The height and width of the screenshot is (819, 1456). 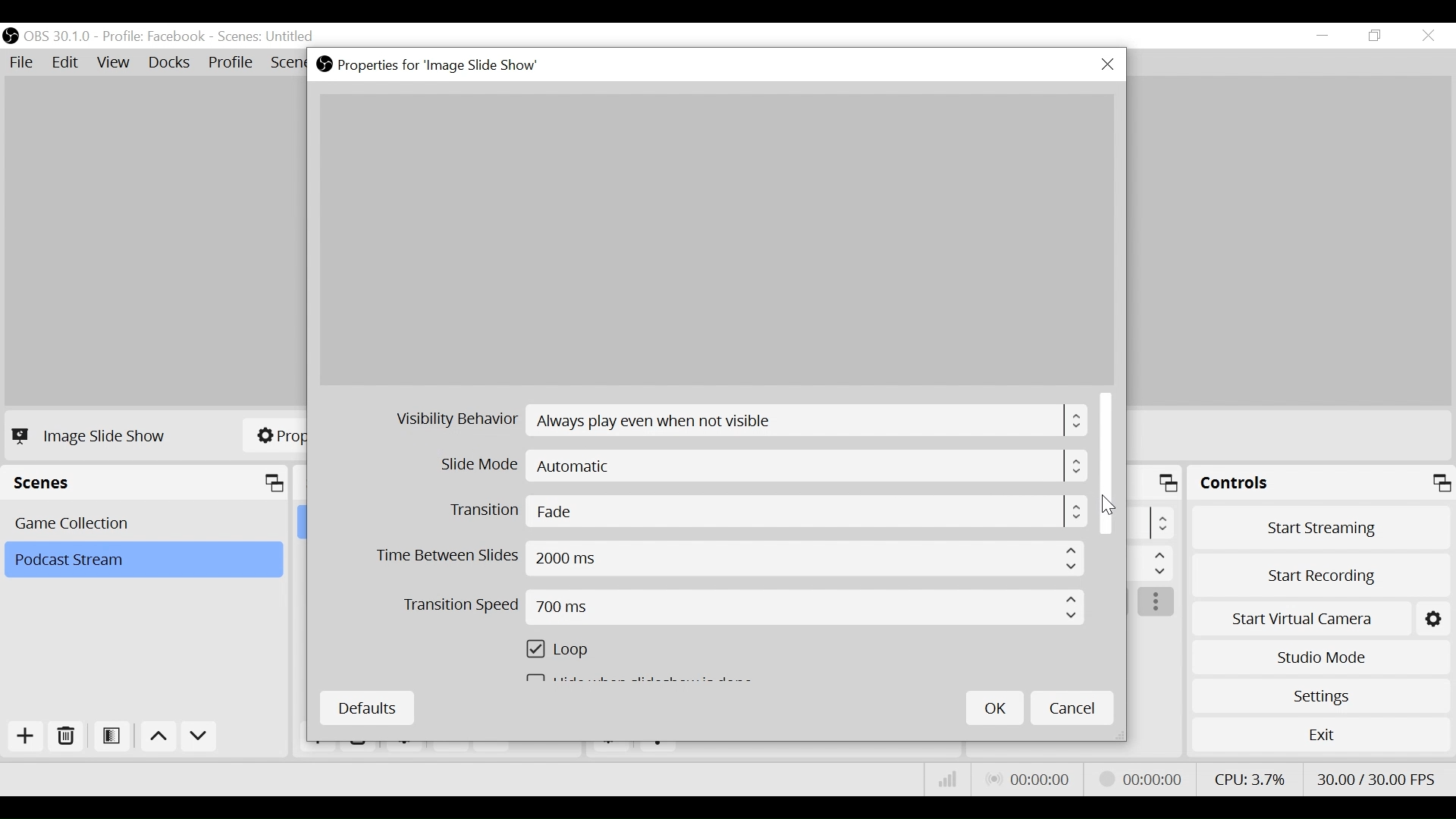 I want to click on View, so click(x=116, y=64).